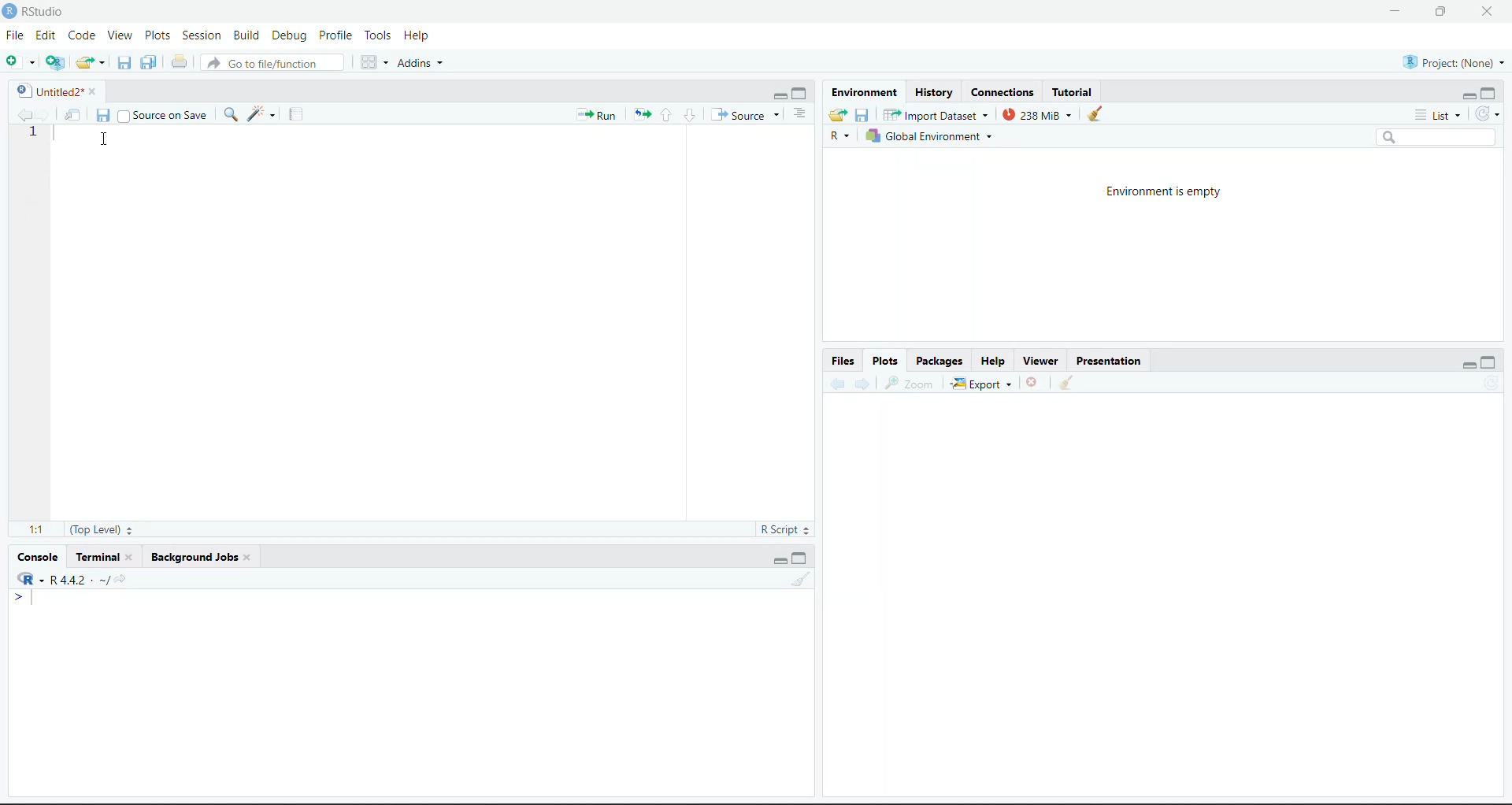 This screenshot has height=805, width=1512. Describe the element at coordinates (885, 361) in the screenshot. I see `Plots` at that location.